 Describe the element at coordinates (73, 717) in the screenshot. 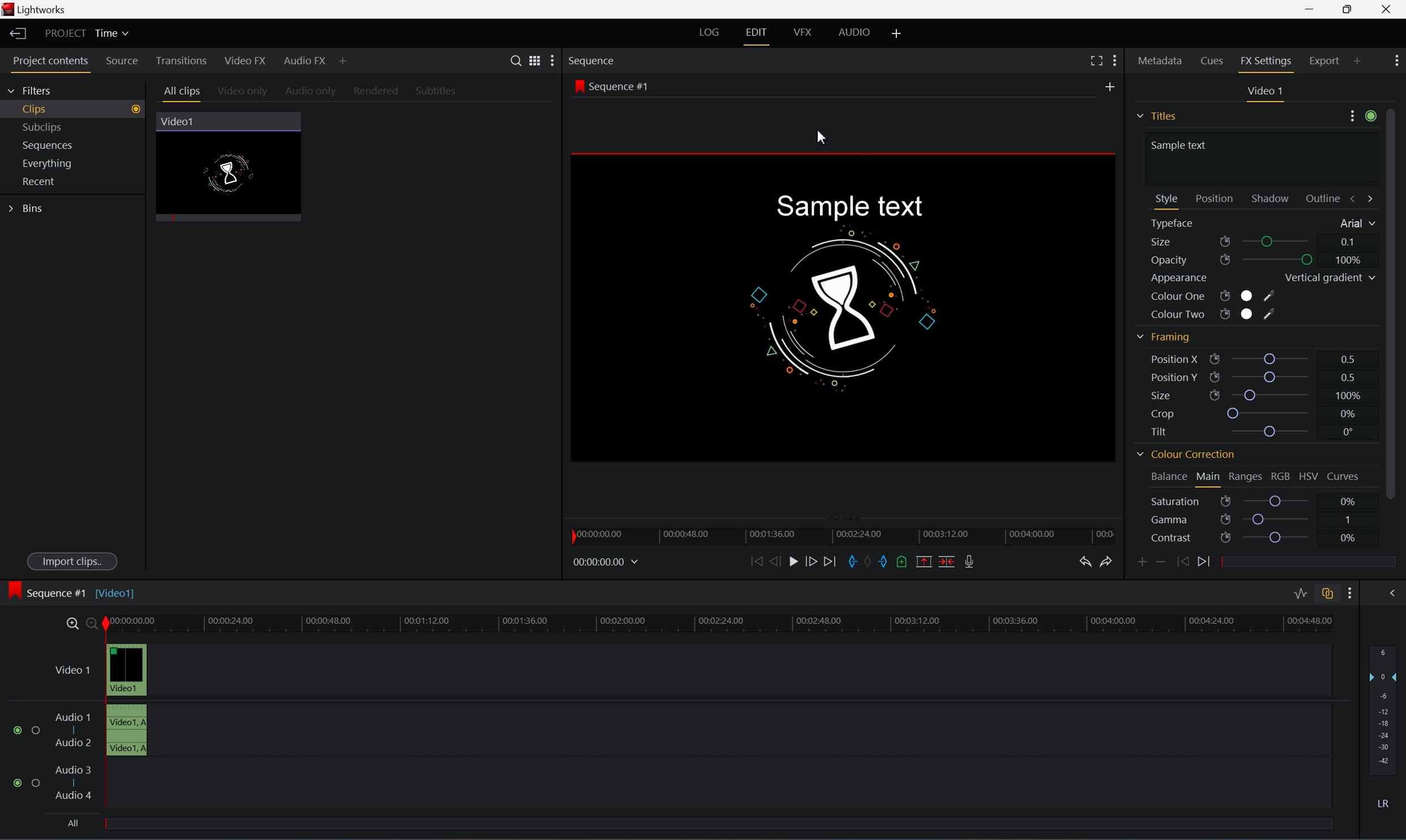

I see `Audio 1` at that location.